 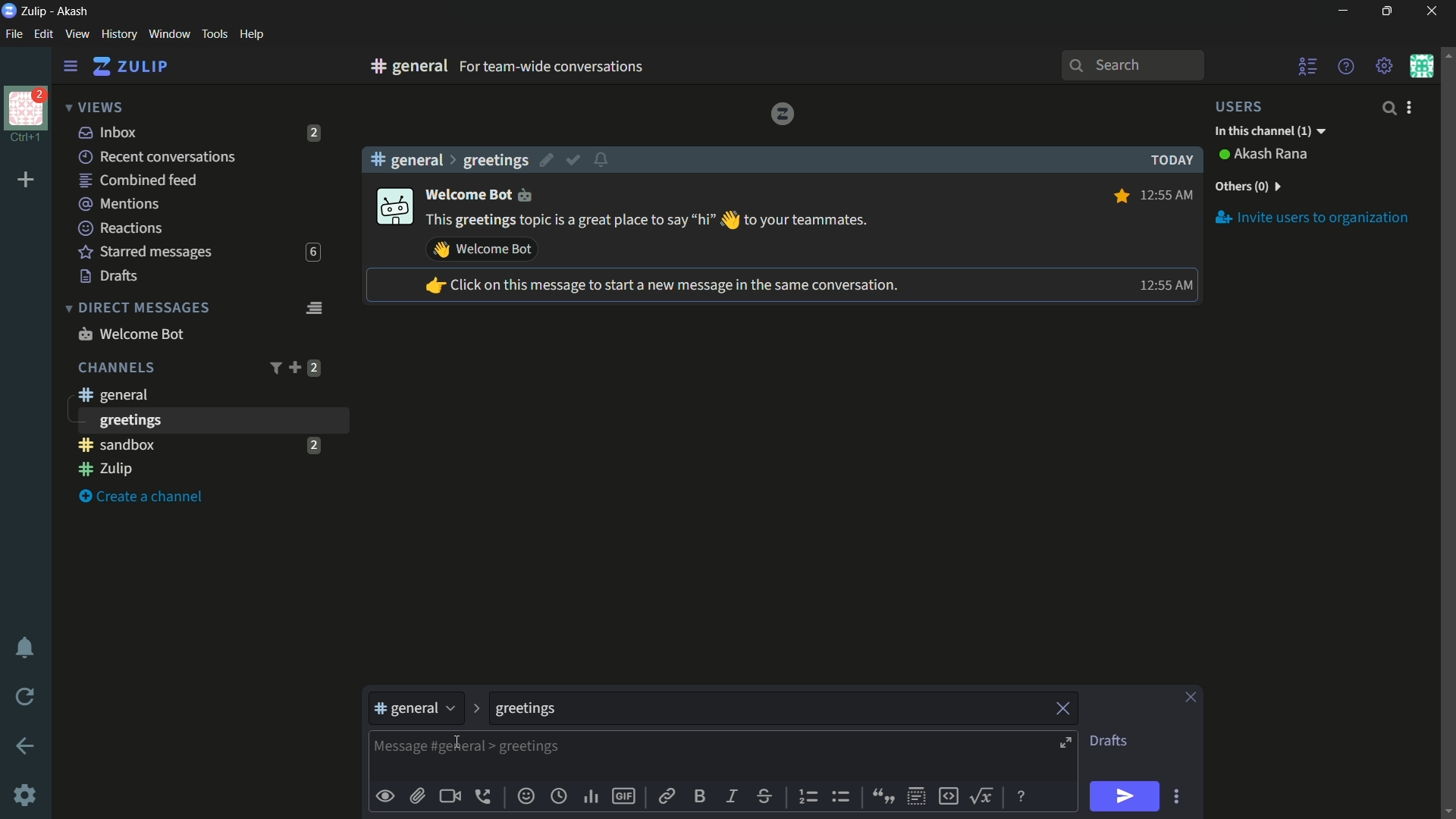 I want to click on close app, so click(x=1429, y=11).